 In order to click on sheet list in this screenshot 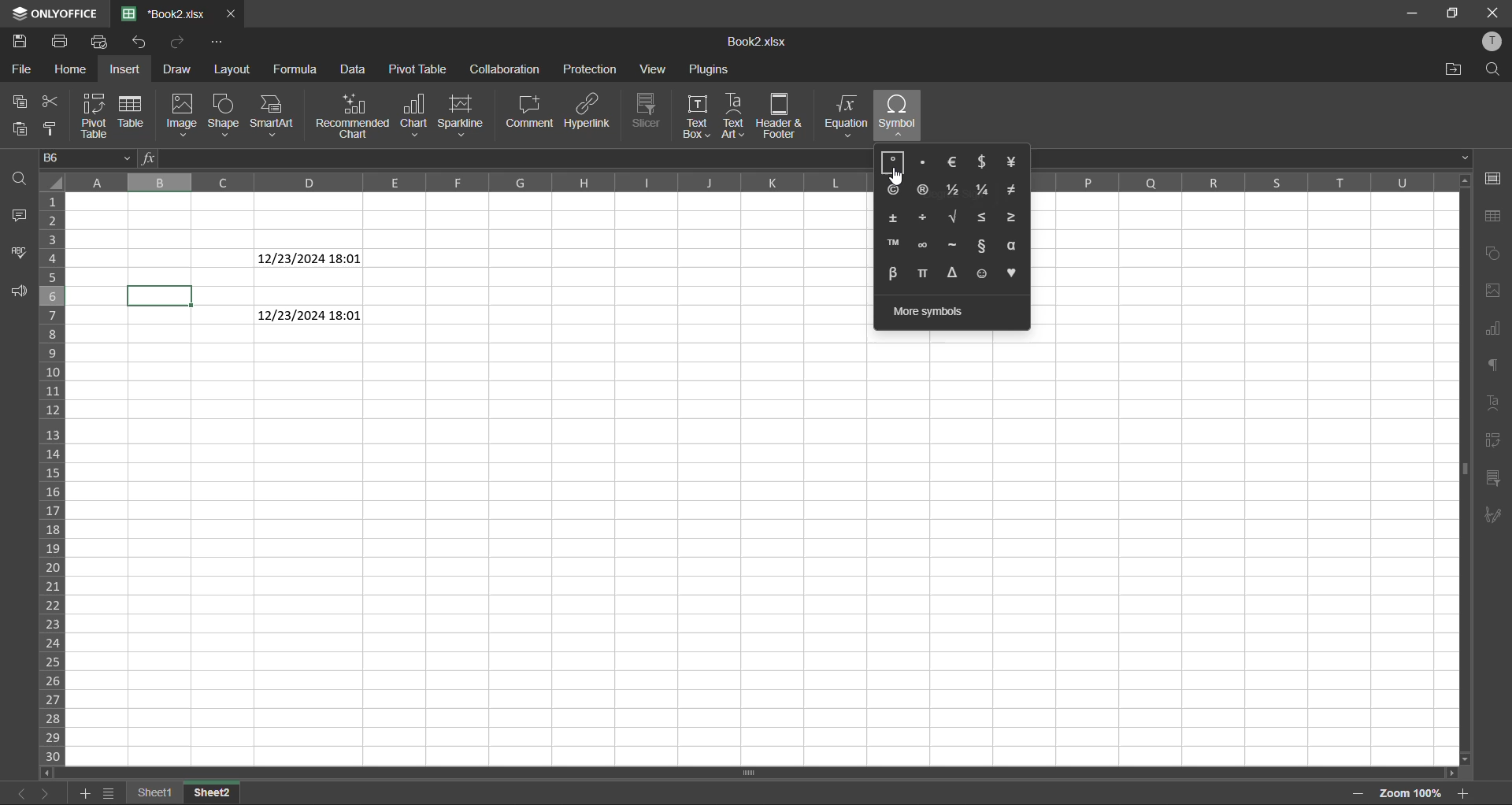, I will do `click(112, 794)`.